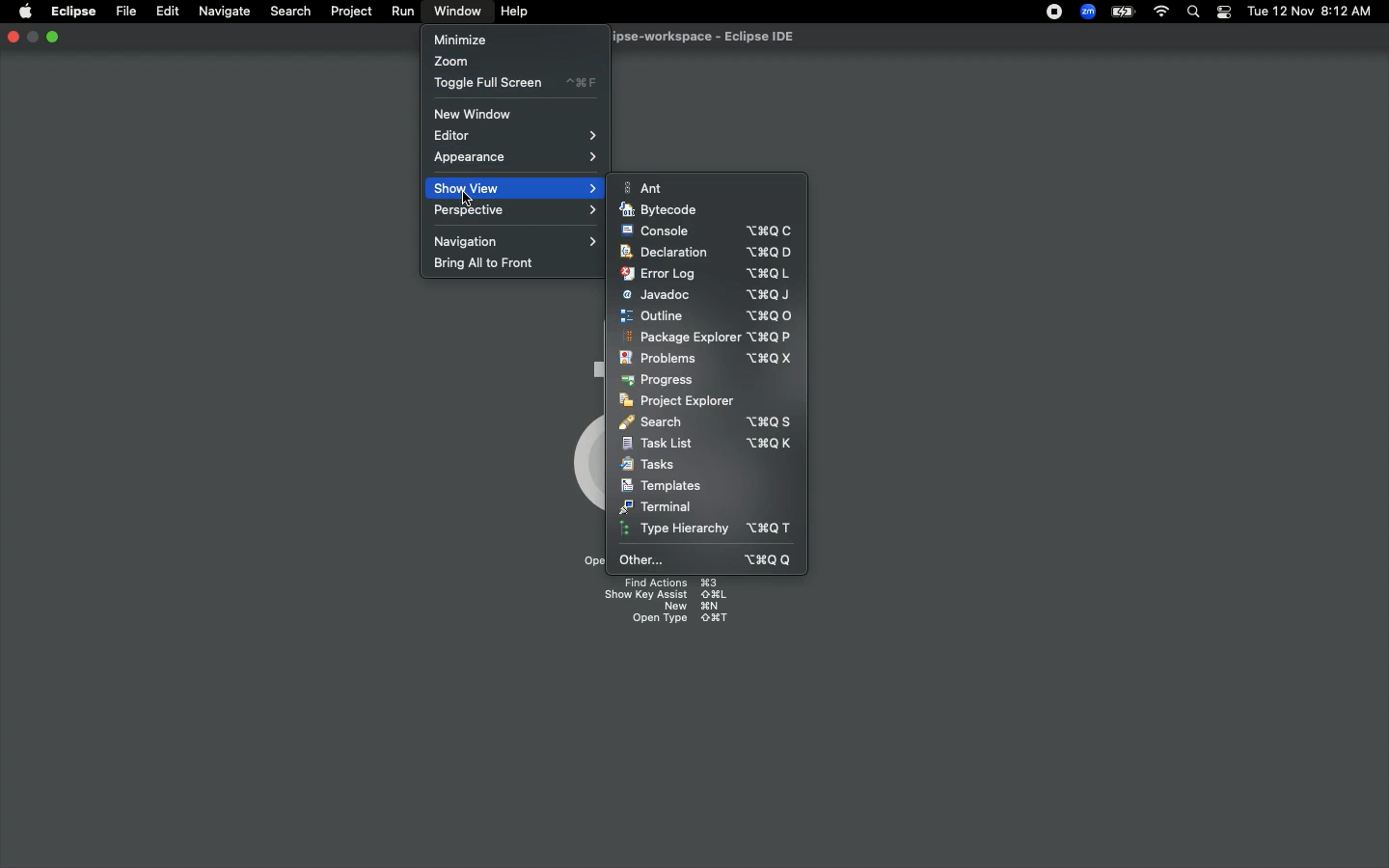 This screenshot has height=868, width=1389. I want to click on cursor, so click(465, 198).